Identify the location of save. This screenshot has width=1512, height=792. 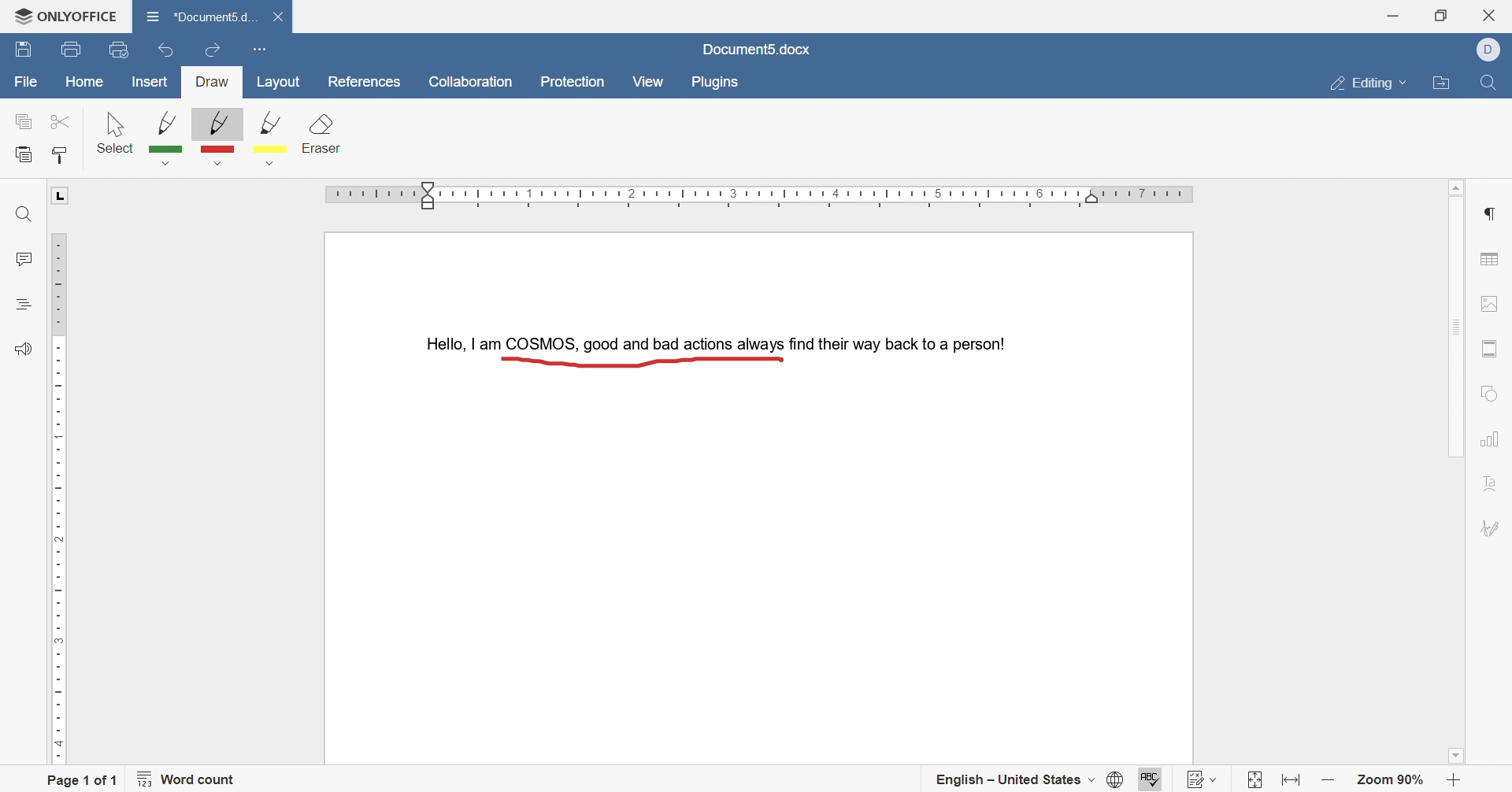
(24, 51).